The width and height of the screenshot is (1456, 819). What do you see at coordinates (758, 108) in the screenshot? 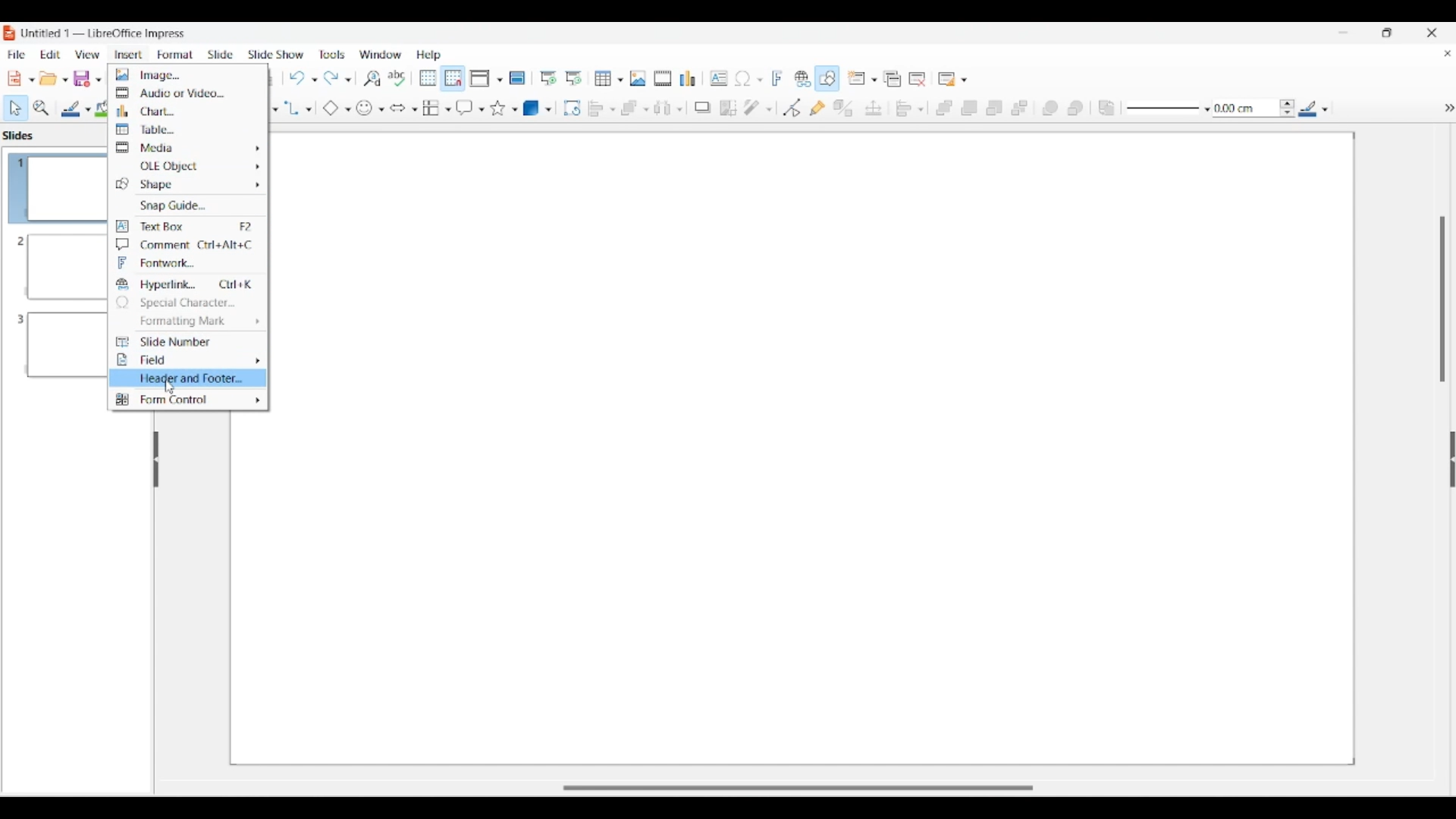
I see `Filter options` at bounding box center [758, 108].